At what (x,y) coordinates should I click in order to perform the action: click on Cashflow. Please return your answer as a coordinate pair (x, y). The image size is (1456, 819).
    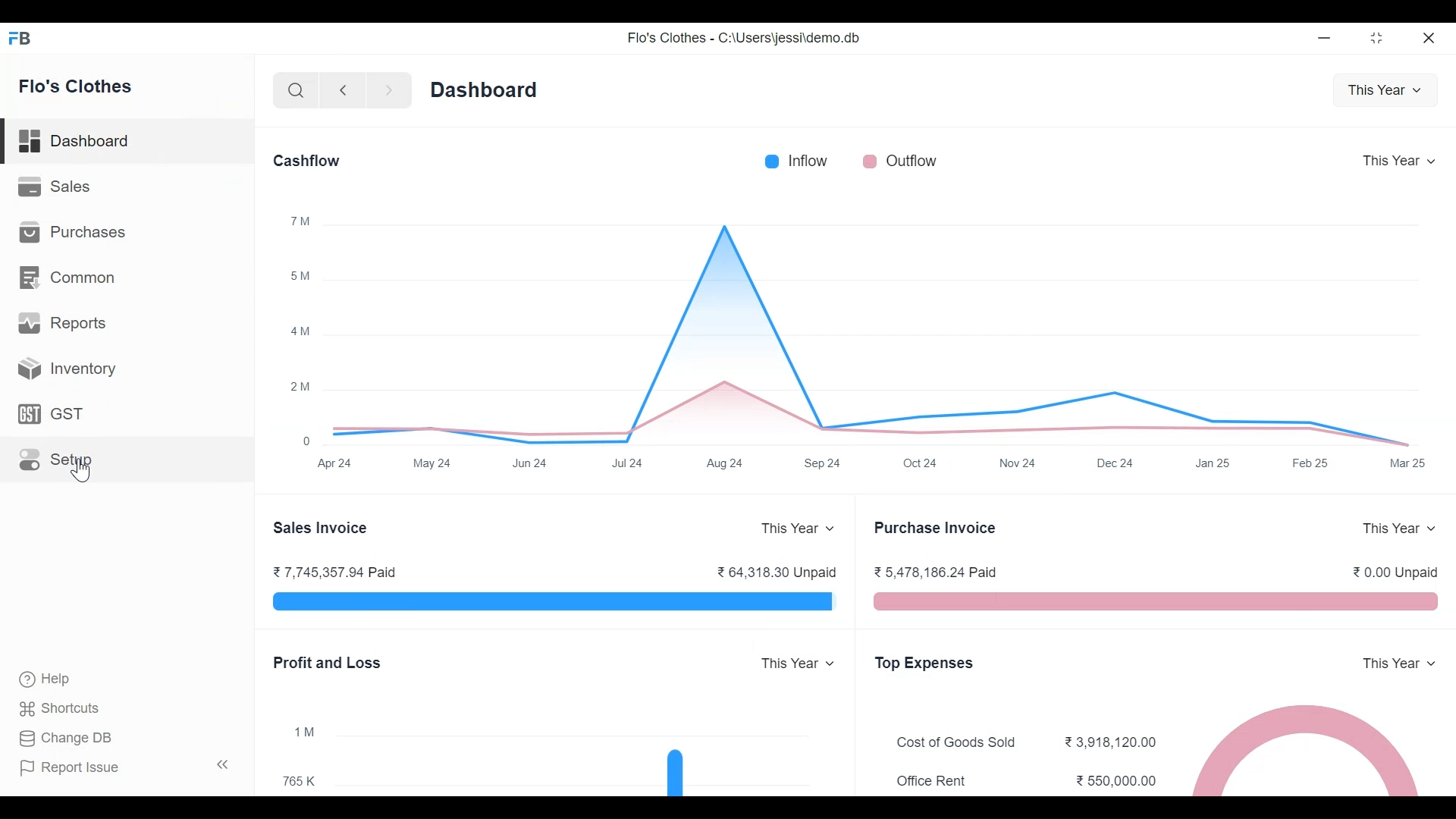
    Looking at the image, I should click on (309, 163).